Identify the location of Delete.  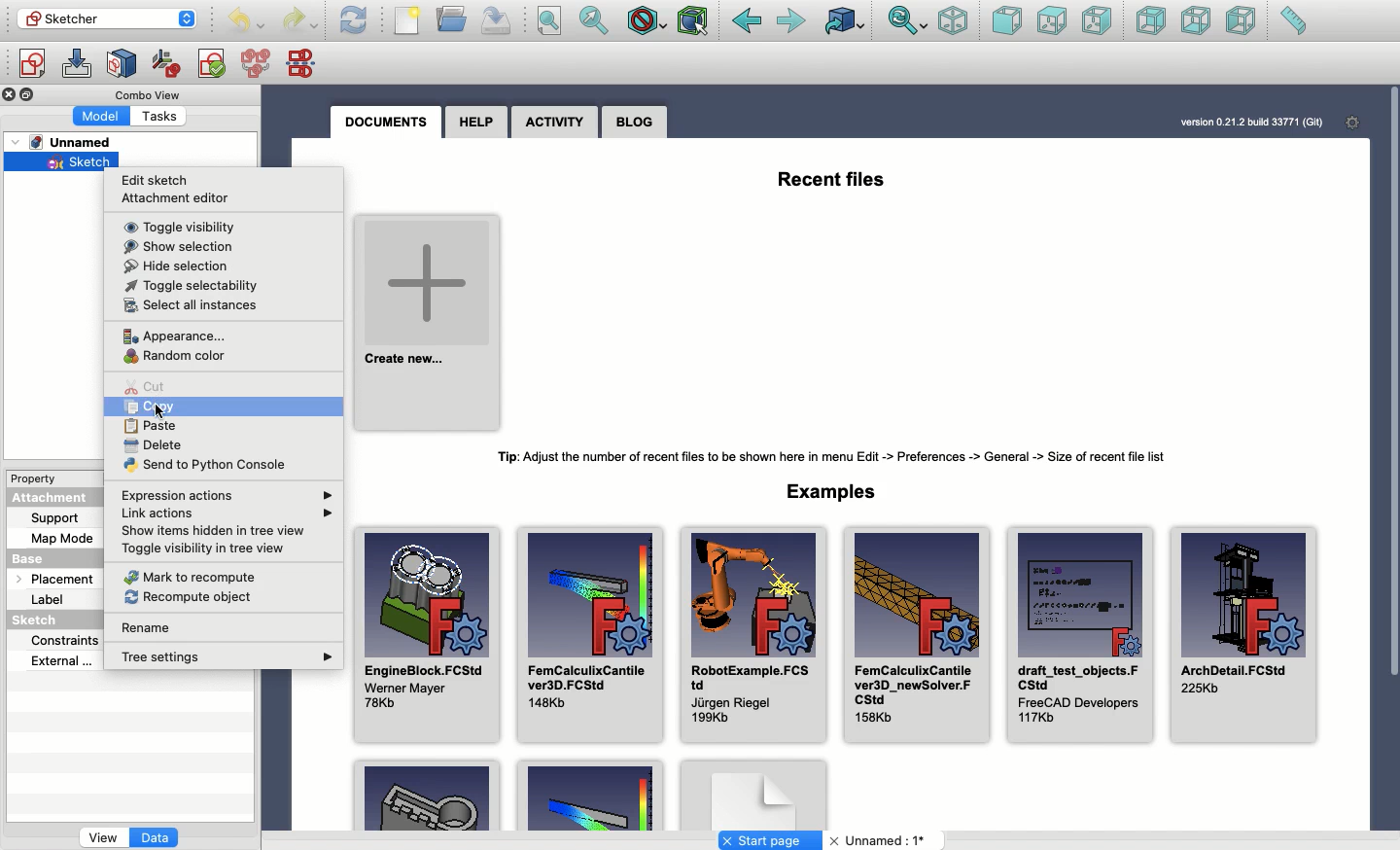
(157, 446).